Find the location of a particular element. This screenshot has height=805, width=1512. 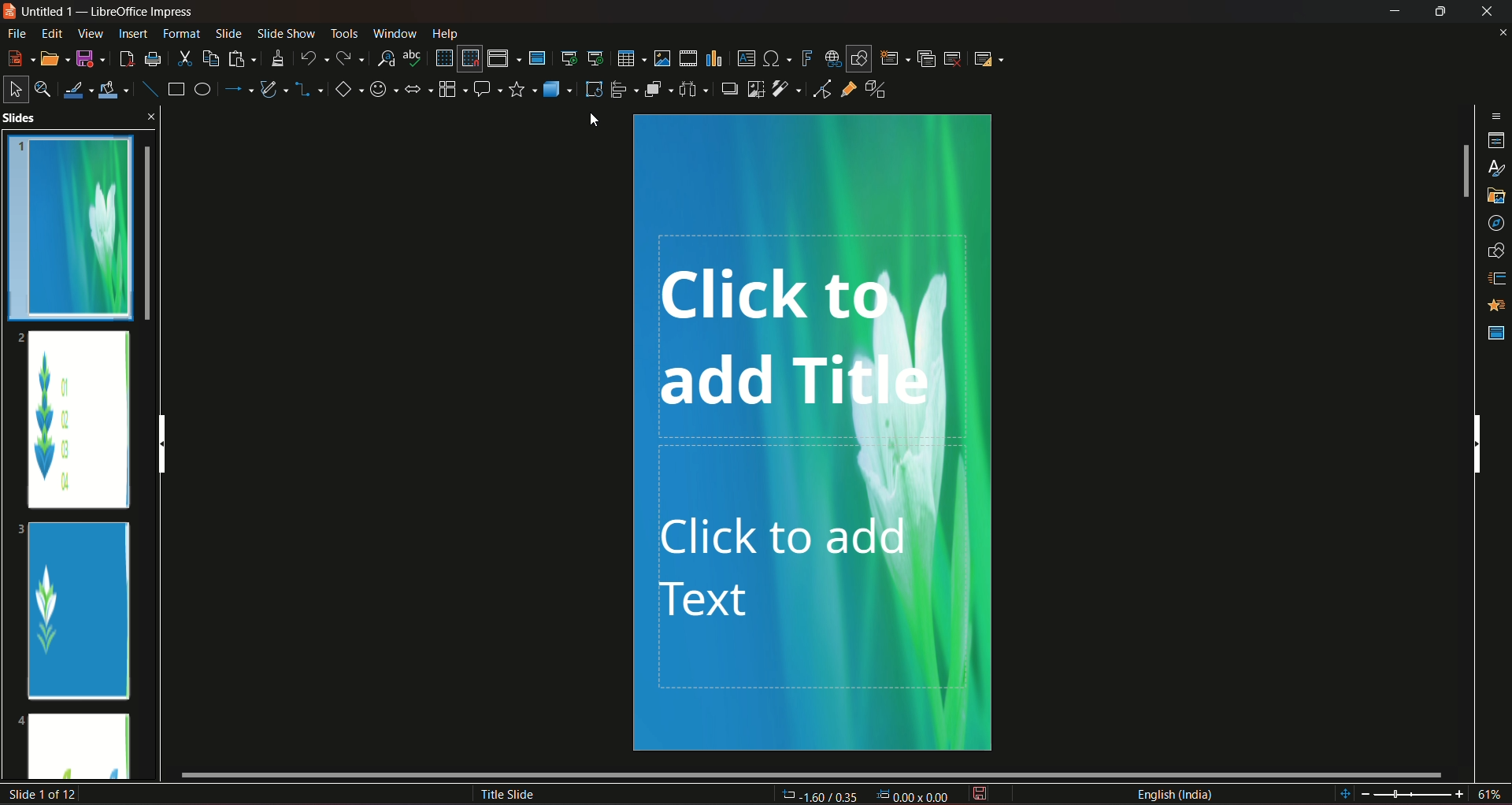

shapes is located at coordinates (1494, 251).